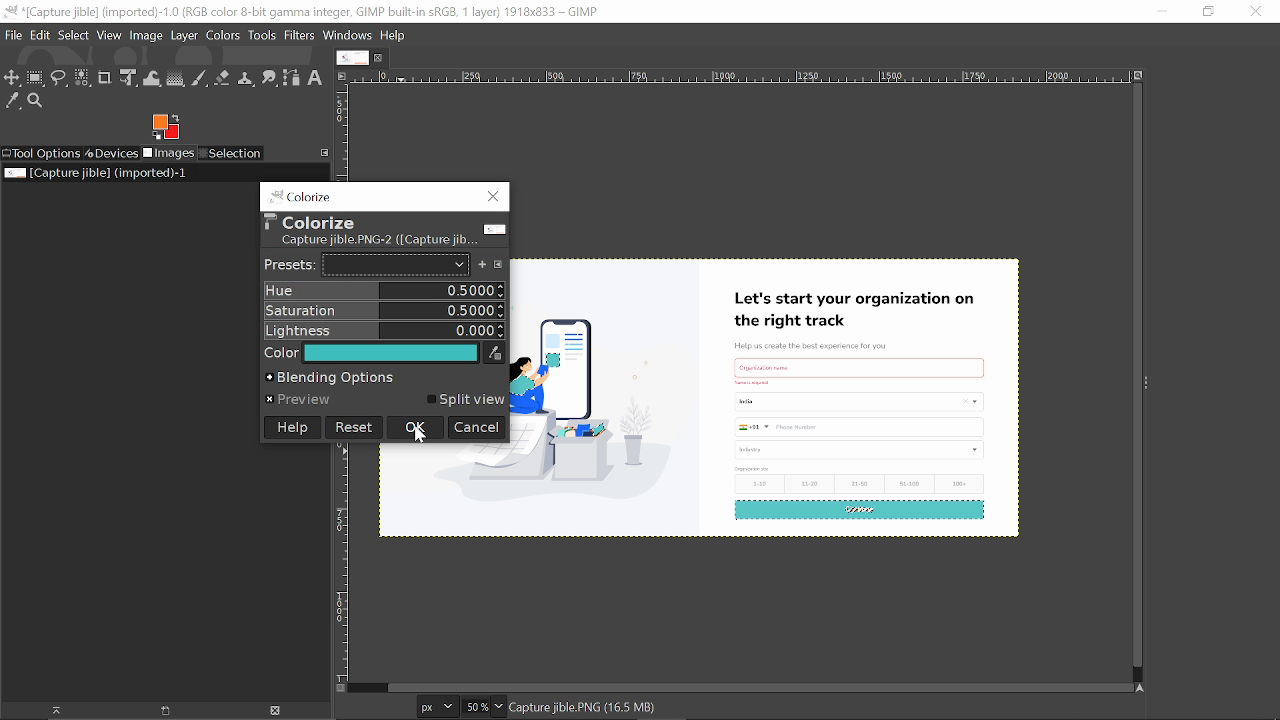 The width and height of the screenshot is (1280, 720). What do you see at coordinates (477, 429) in the screenshot?
I see `Cancel` at bounding box center [477, 429].